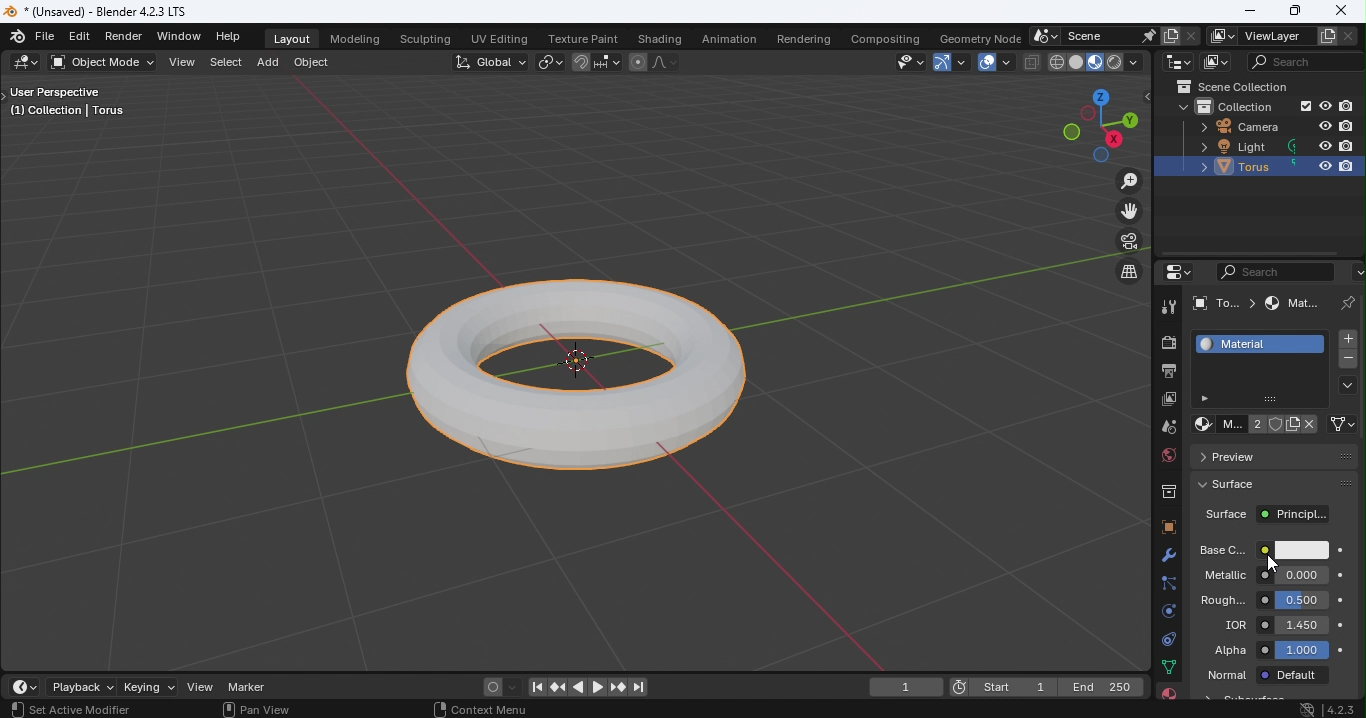  What do you see at coordinates (1274, 485) in the screenshot?
I see `Surface` at bounding box center [1274, 485].